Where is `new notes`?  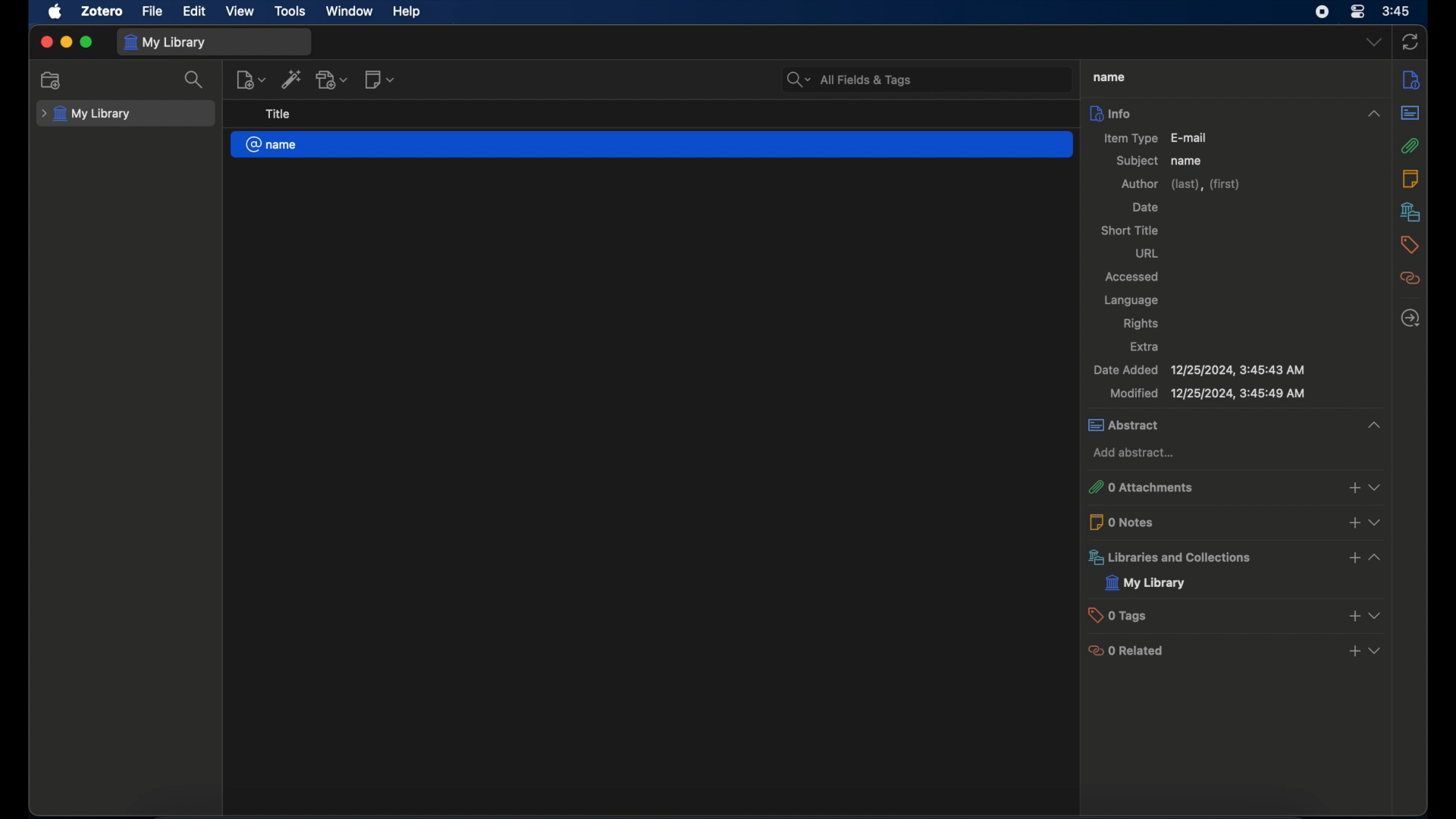
new notes is located at coordinates (381, 80).